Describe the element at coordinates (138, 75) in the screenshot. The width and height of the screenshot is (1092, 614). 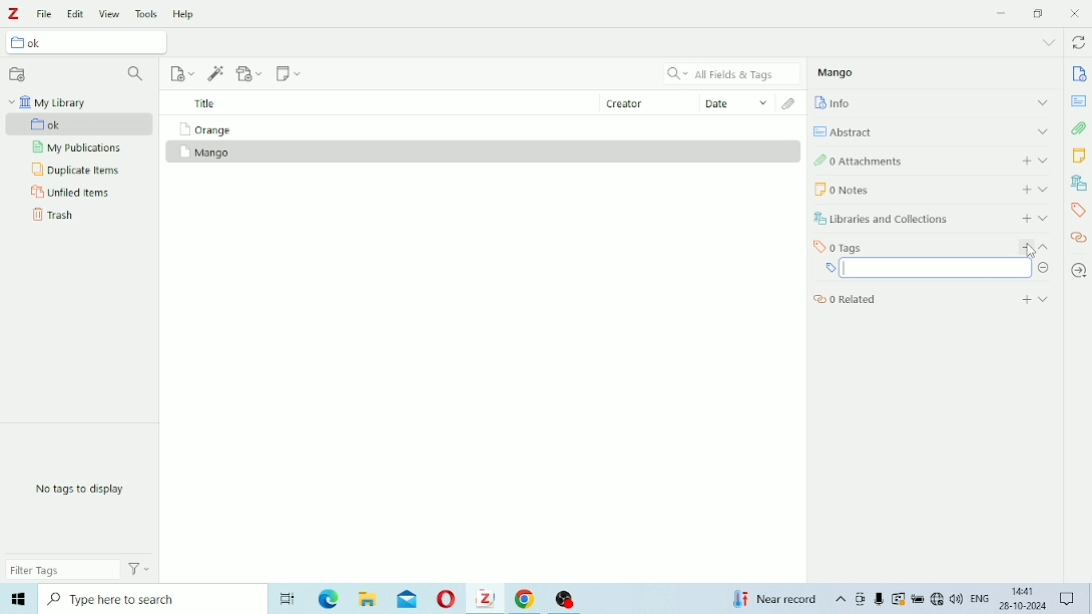
I see `Filter Collections` at that location.